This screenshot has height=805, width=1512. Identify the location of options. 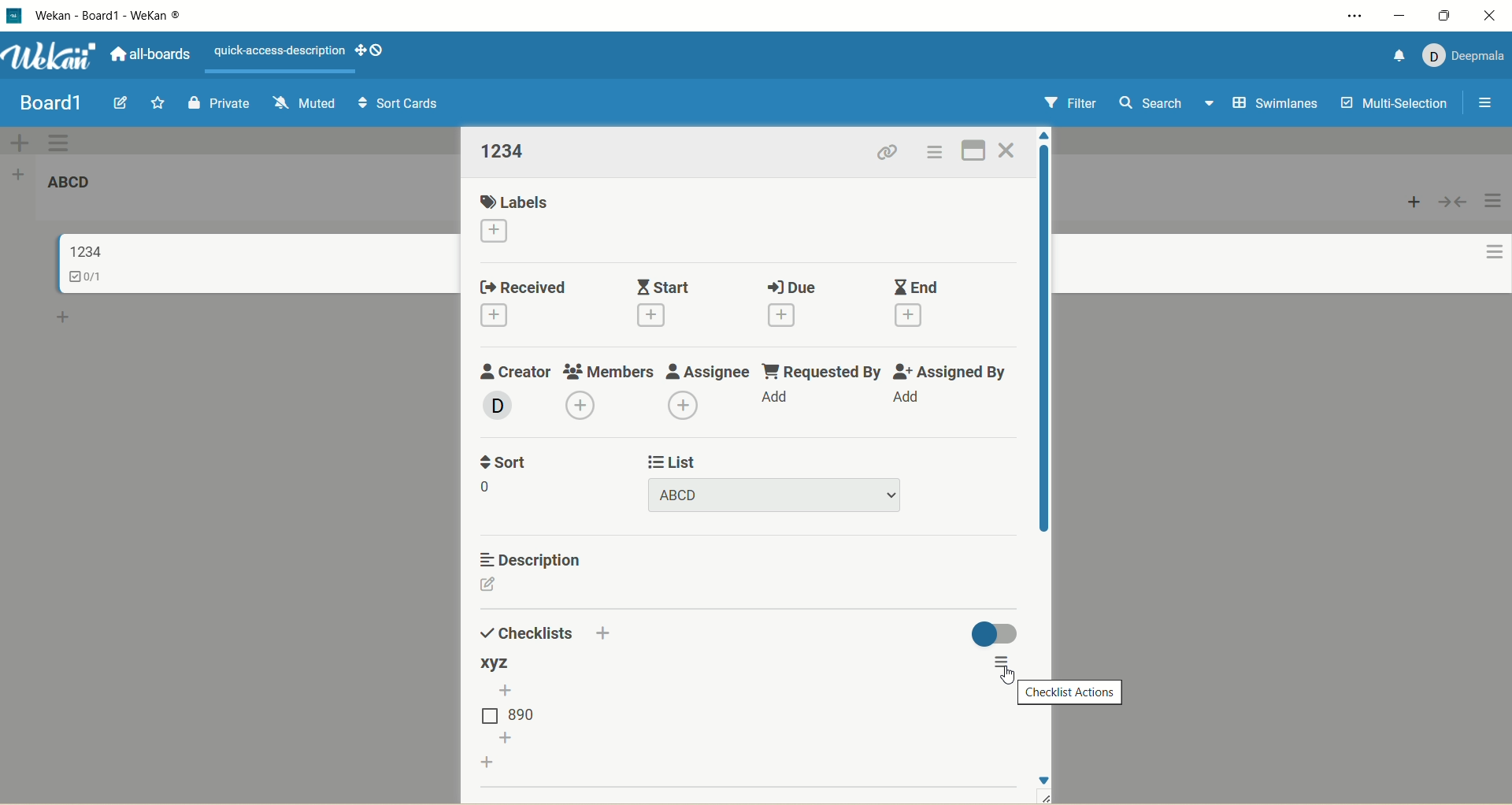
(937, 152).